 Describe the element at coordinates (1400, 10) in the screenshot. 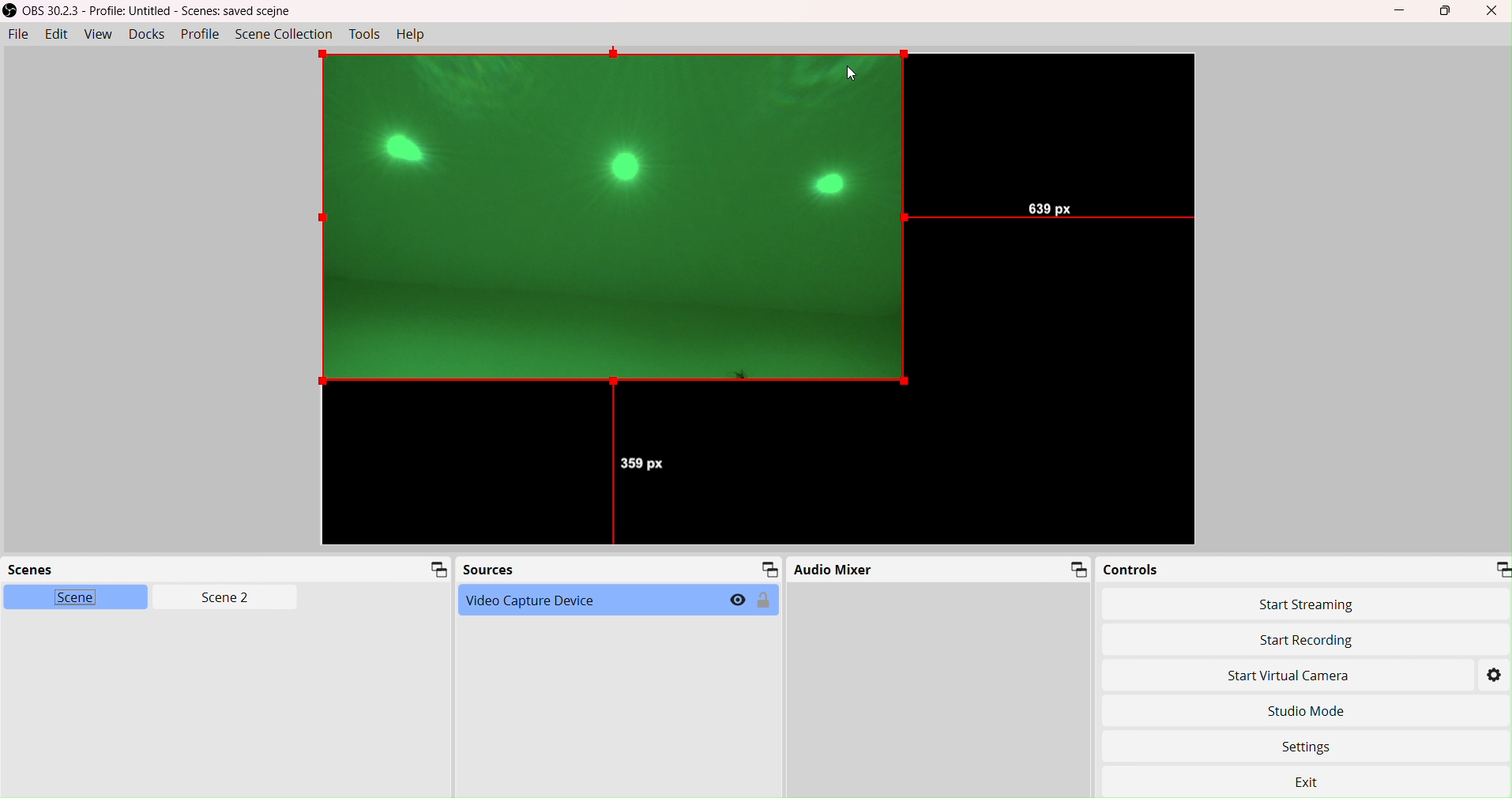

I see `Minimize` at that location.